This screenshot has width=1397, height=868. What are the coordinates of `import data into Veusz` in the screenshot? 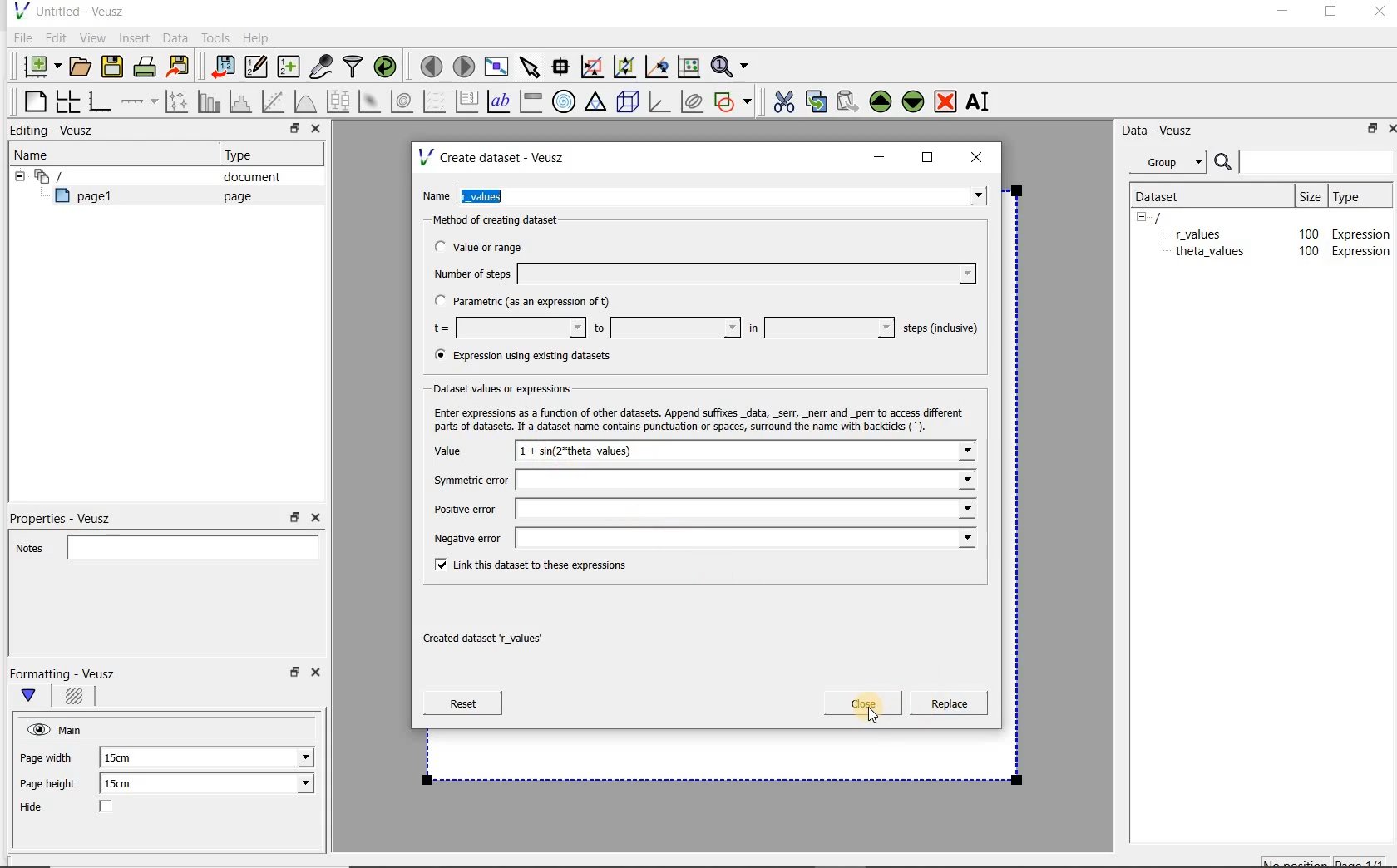 It's located at (221, 67).